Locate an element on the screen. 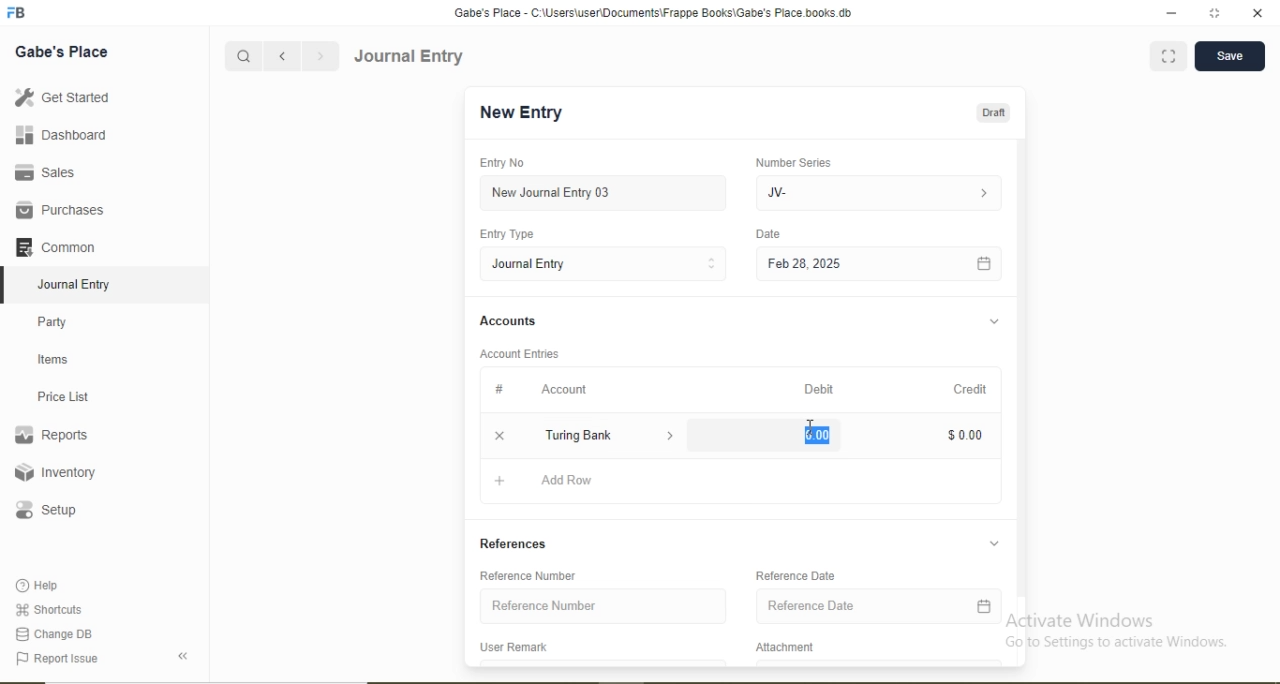 Image resolution: width=1280 pixels, height=684 pixels. Reports is located at coordinates (51, 435).